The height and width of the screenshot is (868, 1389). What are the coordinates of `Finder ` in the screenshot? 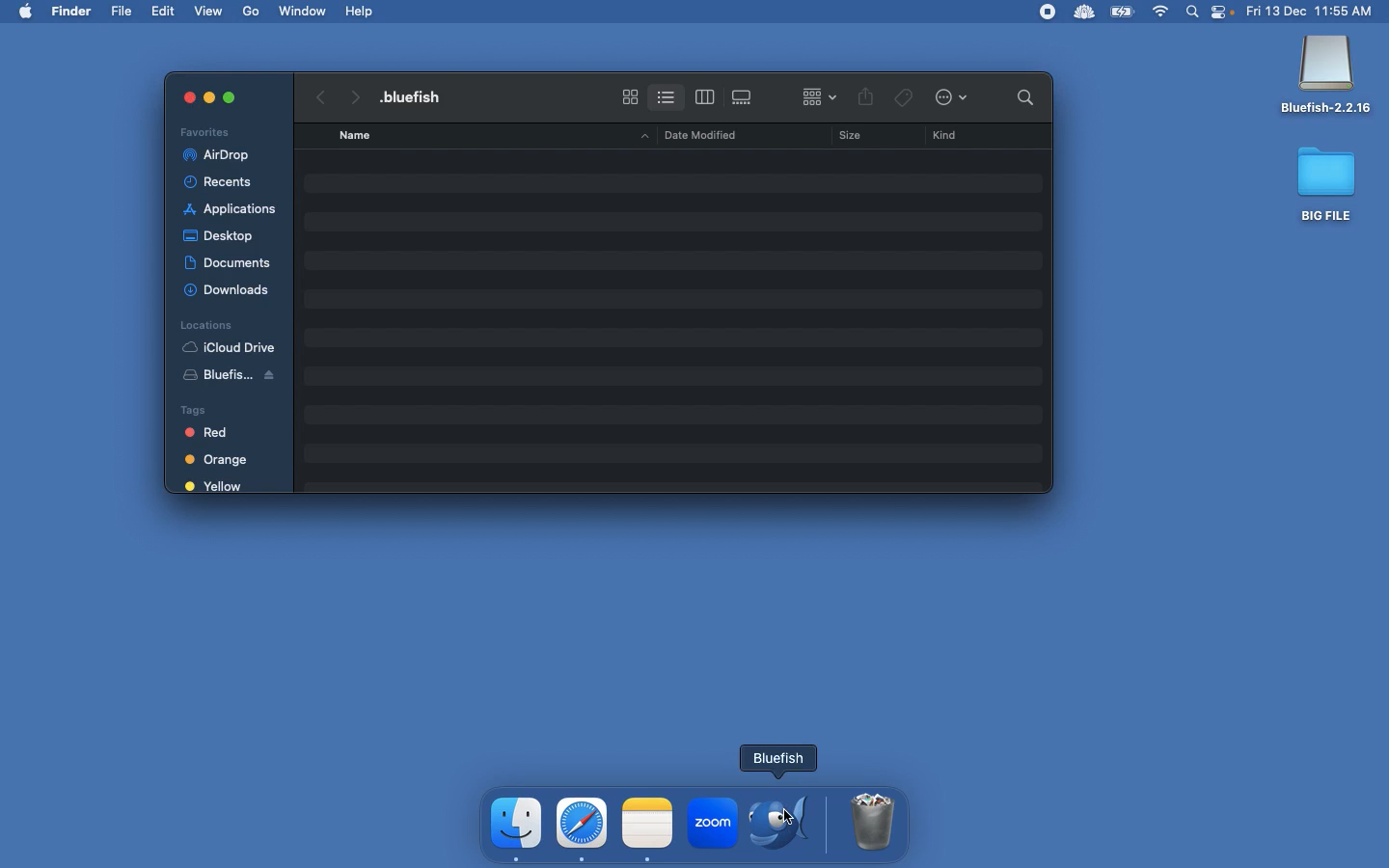 It's located at (72, 12).